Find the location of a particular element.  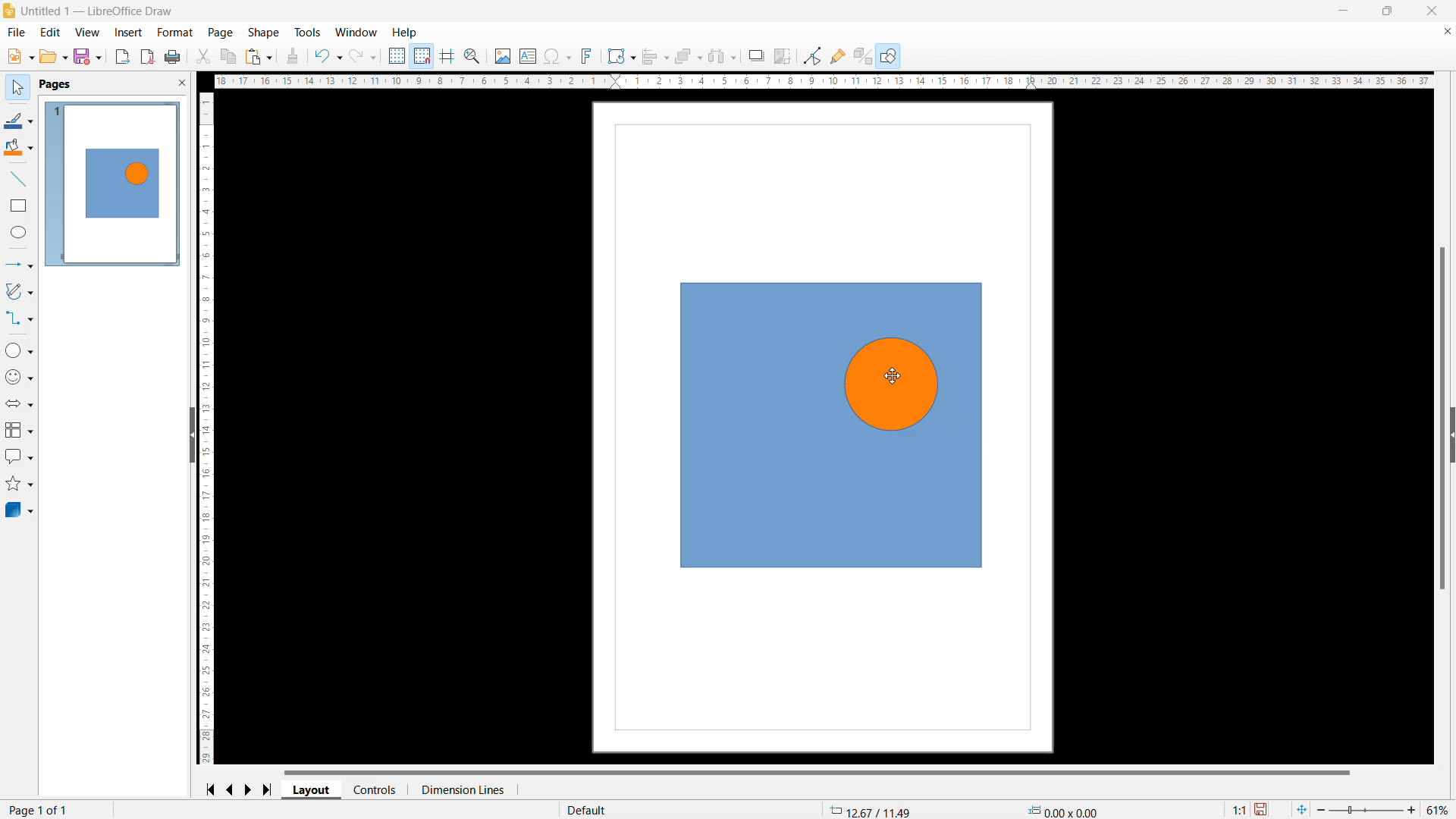

undo is located at coordinates (328, 55).